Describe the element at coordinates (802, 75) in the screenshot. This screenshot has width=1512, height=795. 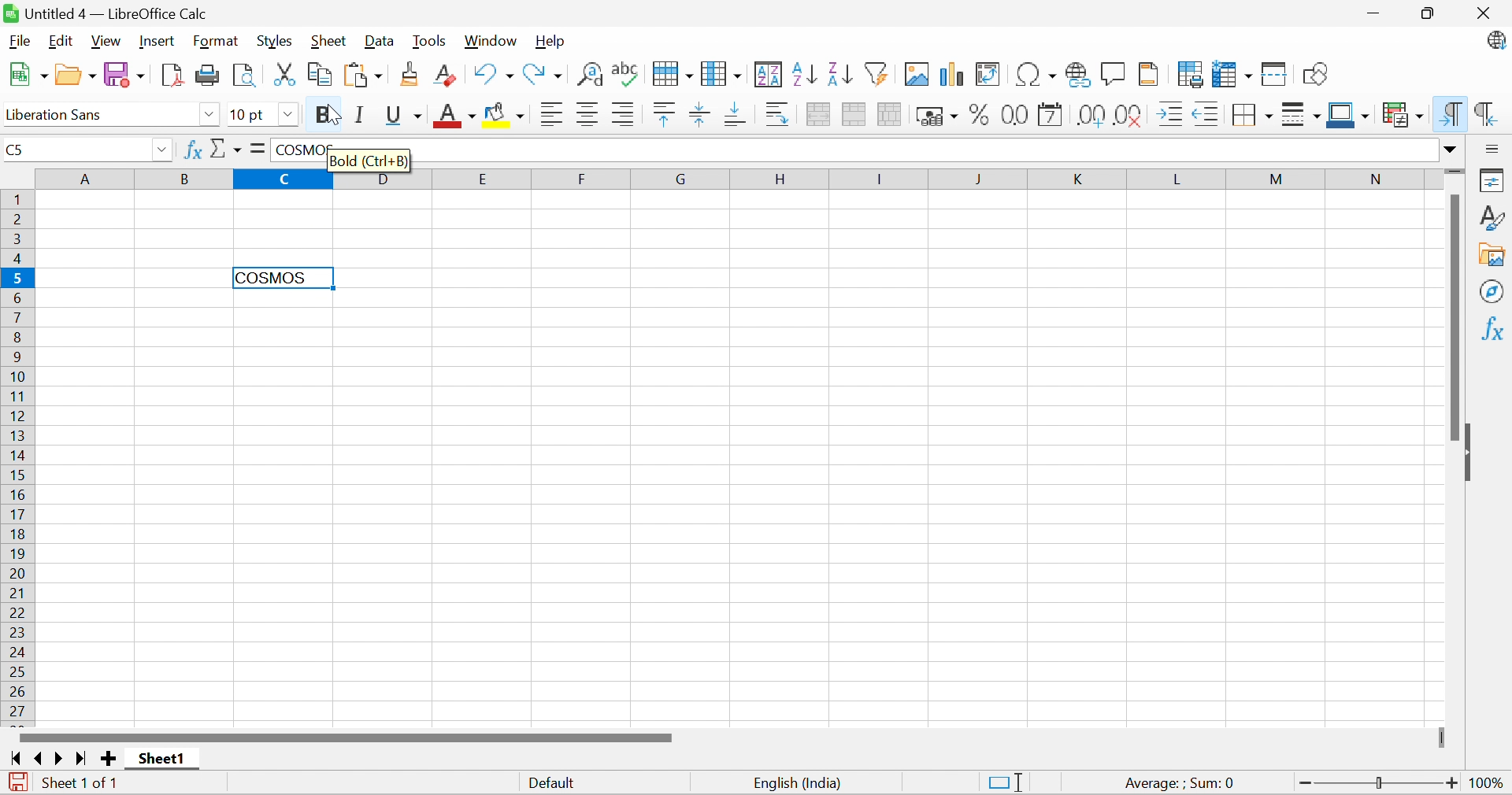
I see `Sort Ascending` at that location.